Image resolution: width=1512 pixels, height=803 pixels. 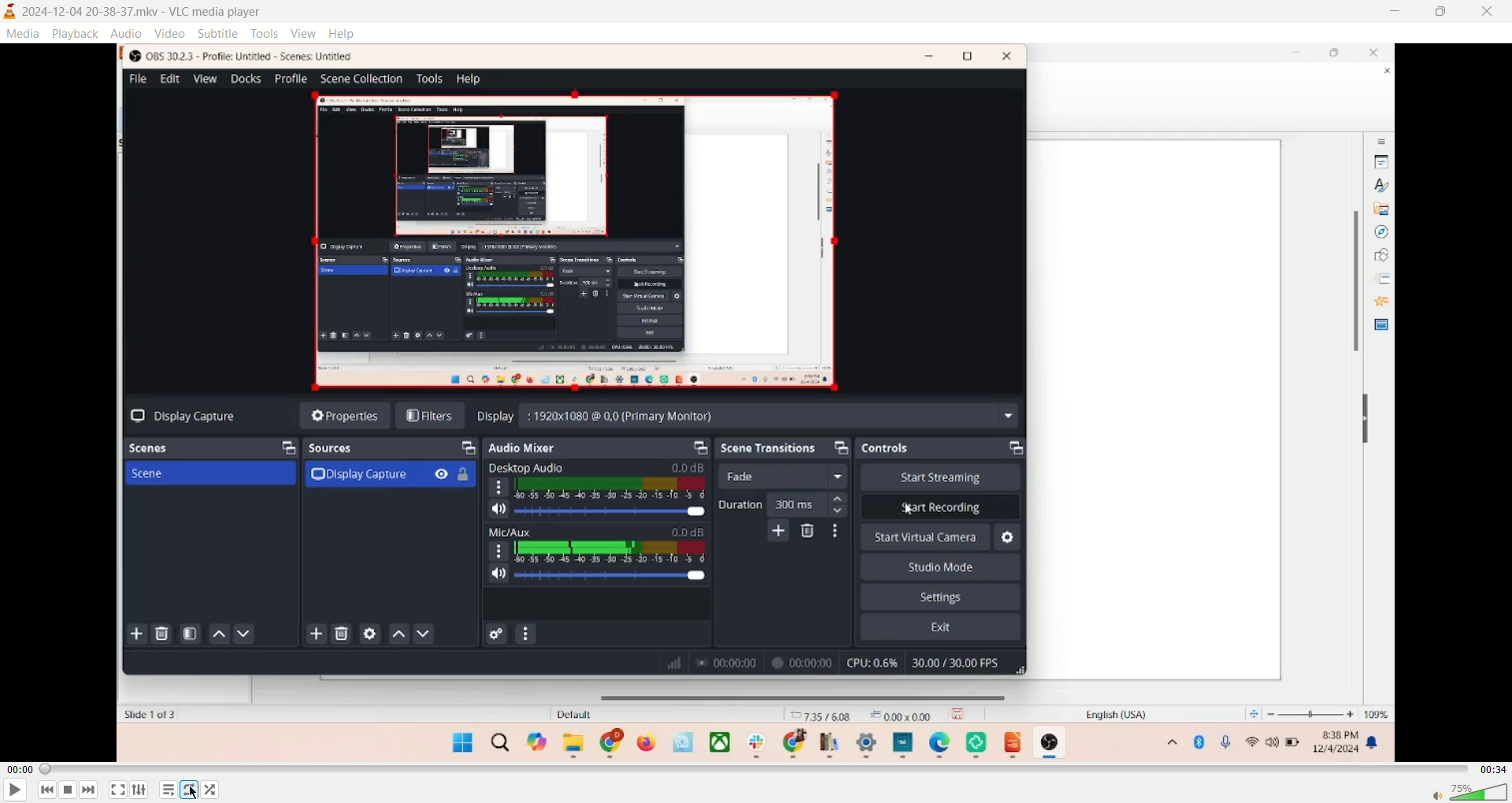 What do you see at coordinates (1490, 10) in the screenshot?
I see `close` at bounding box center [1490, 10].